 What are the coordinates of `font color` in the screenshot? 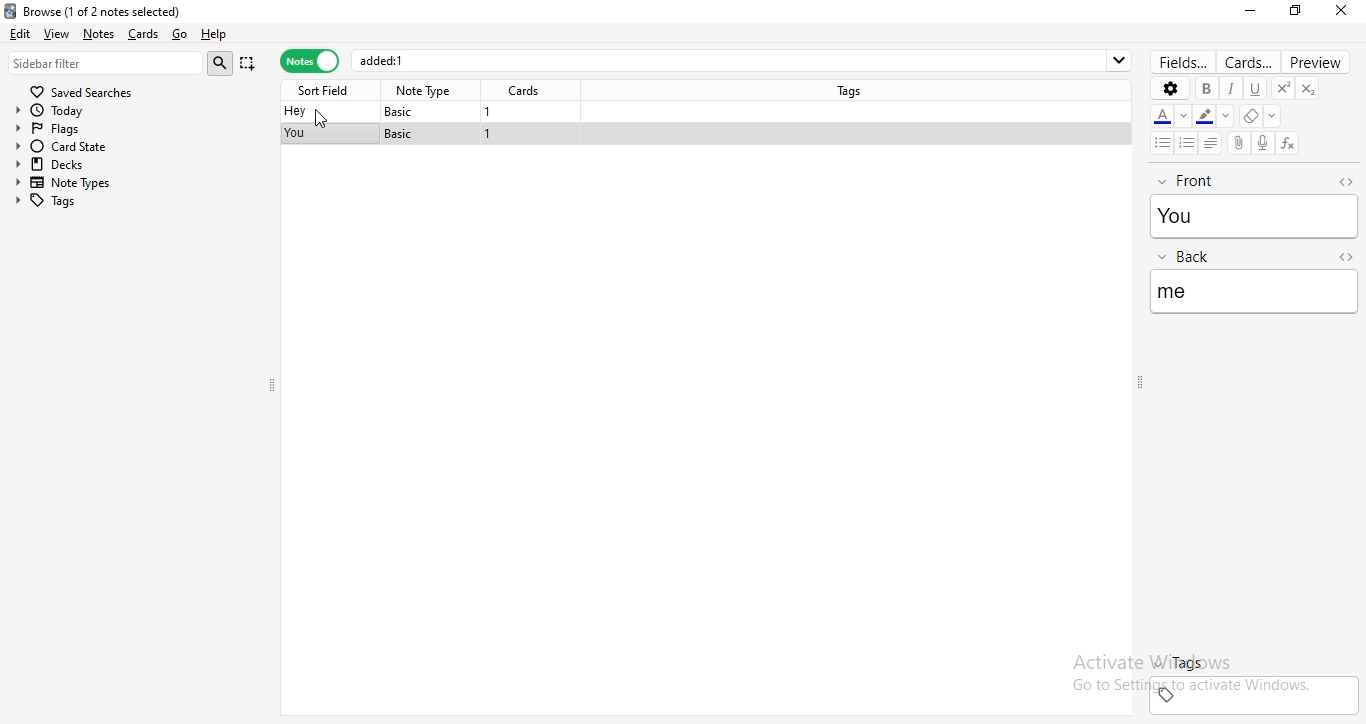 It's located at (1213, 116).